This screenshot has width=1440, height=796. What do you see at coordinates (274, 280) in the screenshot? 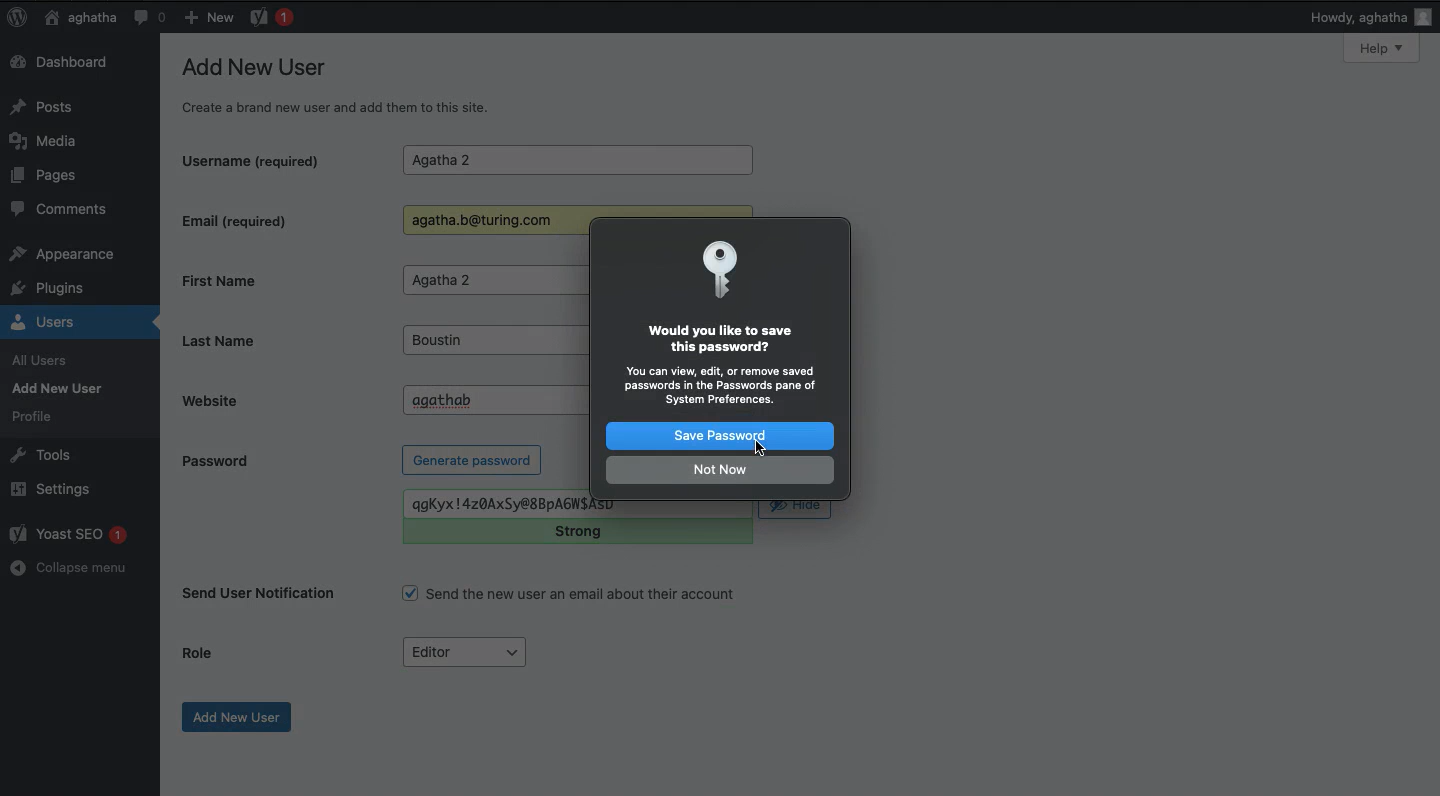
I see `First Name` at bounding box center [274, 280].